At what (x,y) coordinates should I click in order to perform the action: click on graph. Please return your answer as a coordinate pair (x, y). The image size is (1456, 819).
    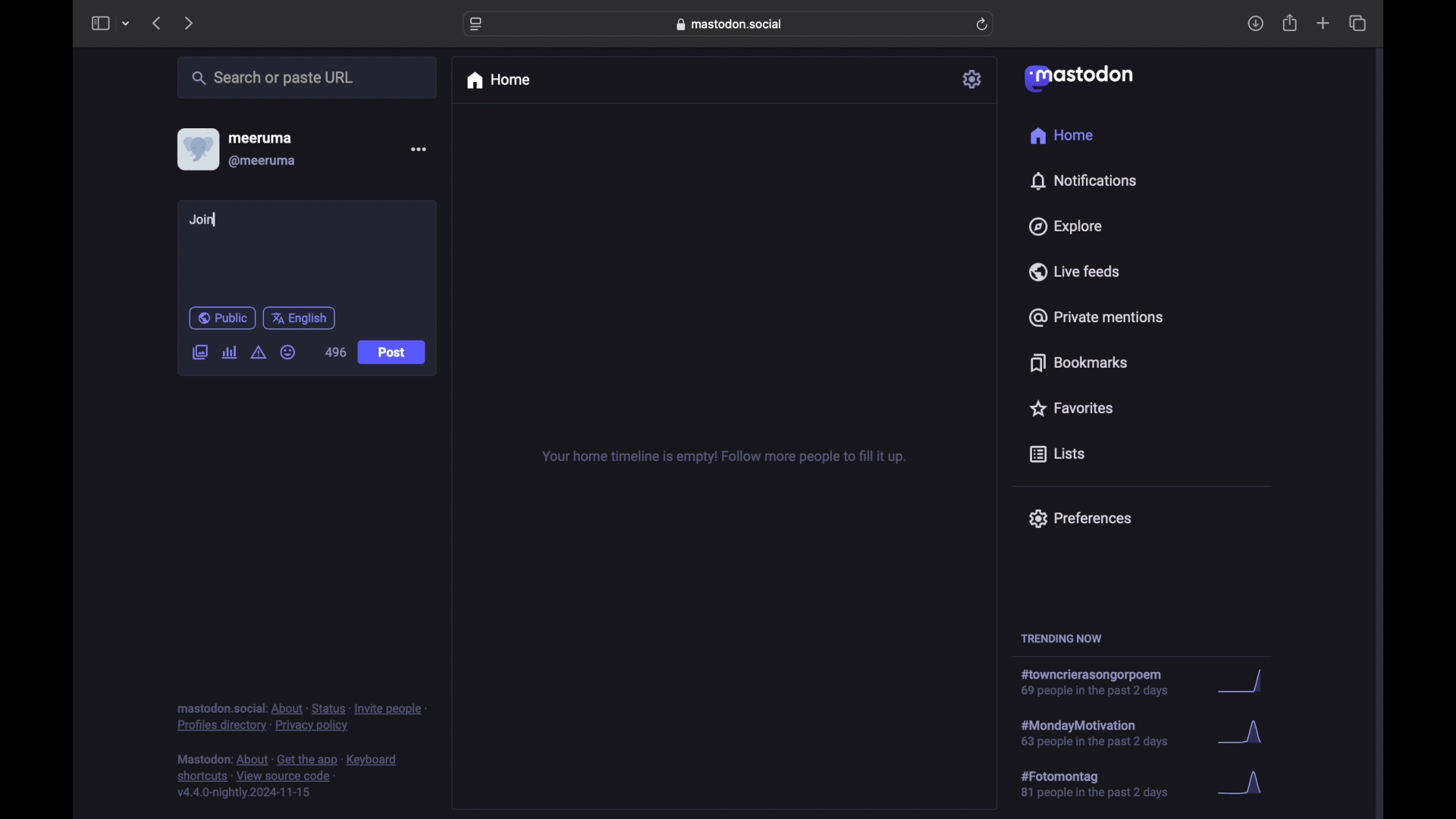
    Looking at the image, I should click on (1240, 734).